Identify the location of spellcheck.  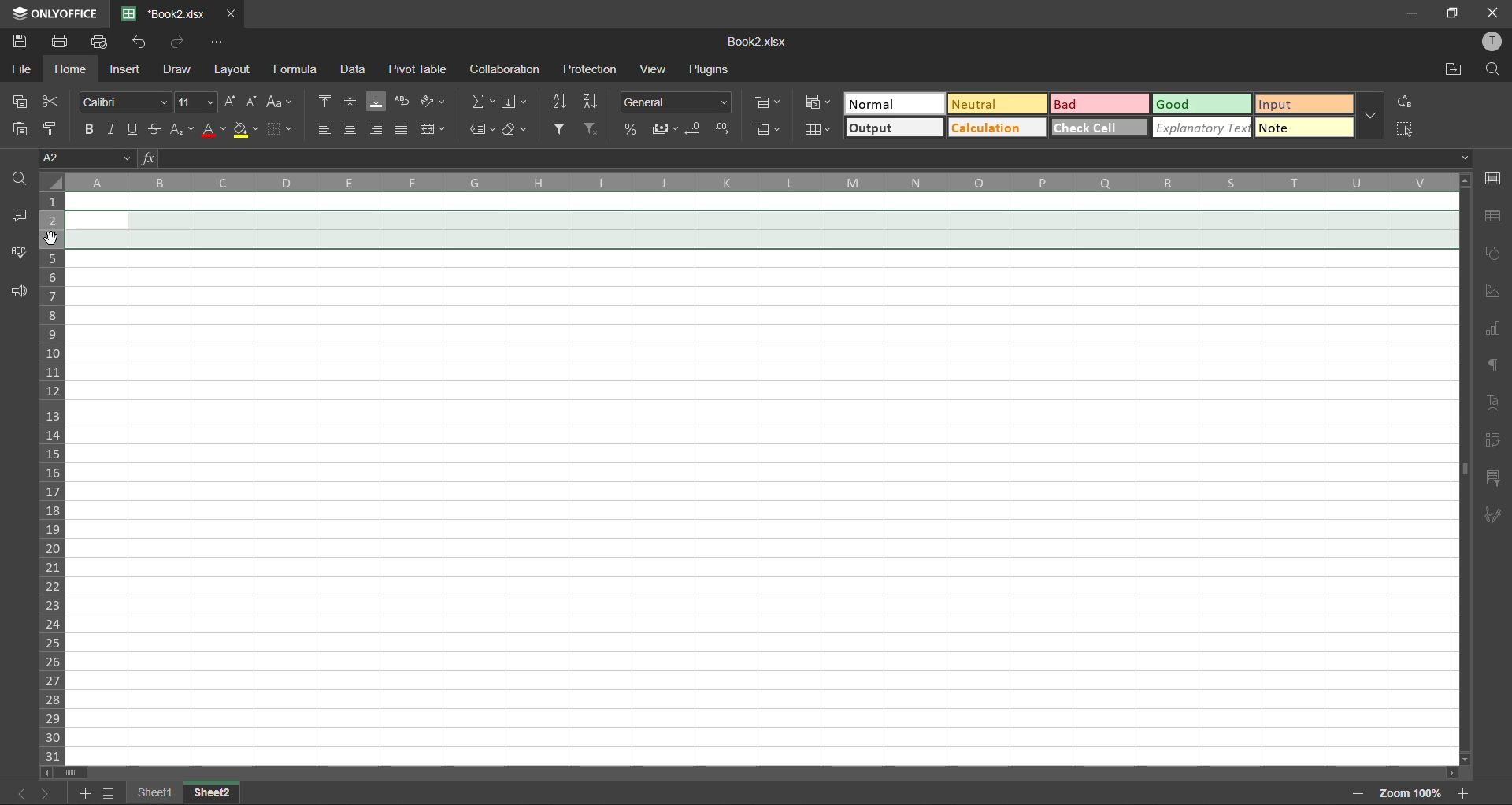
(19, 254).